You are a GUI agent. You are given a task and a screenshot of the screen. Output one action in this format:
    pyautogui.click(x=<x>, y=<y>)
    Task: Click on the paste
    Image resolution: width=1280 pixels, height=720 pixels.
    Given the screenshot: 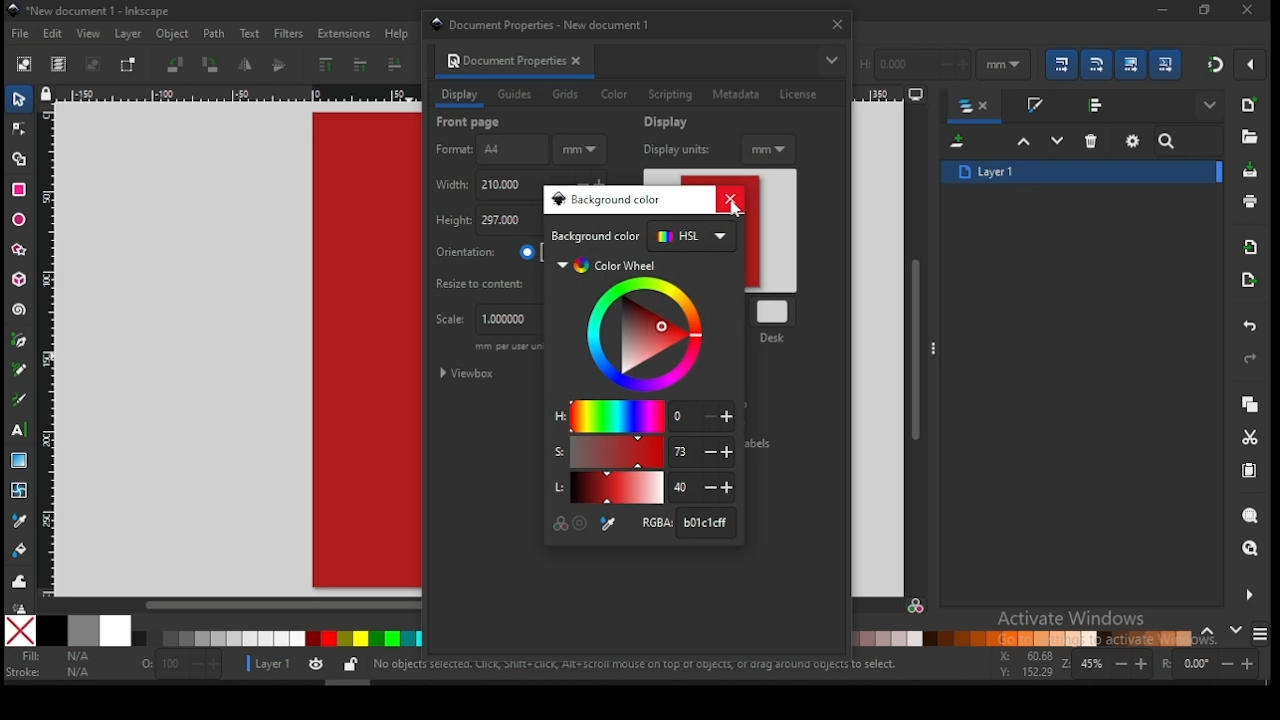 What is the action you would take?
    pyautogui.click(x=1253, y=473)
    